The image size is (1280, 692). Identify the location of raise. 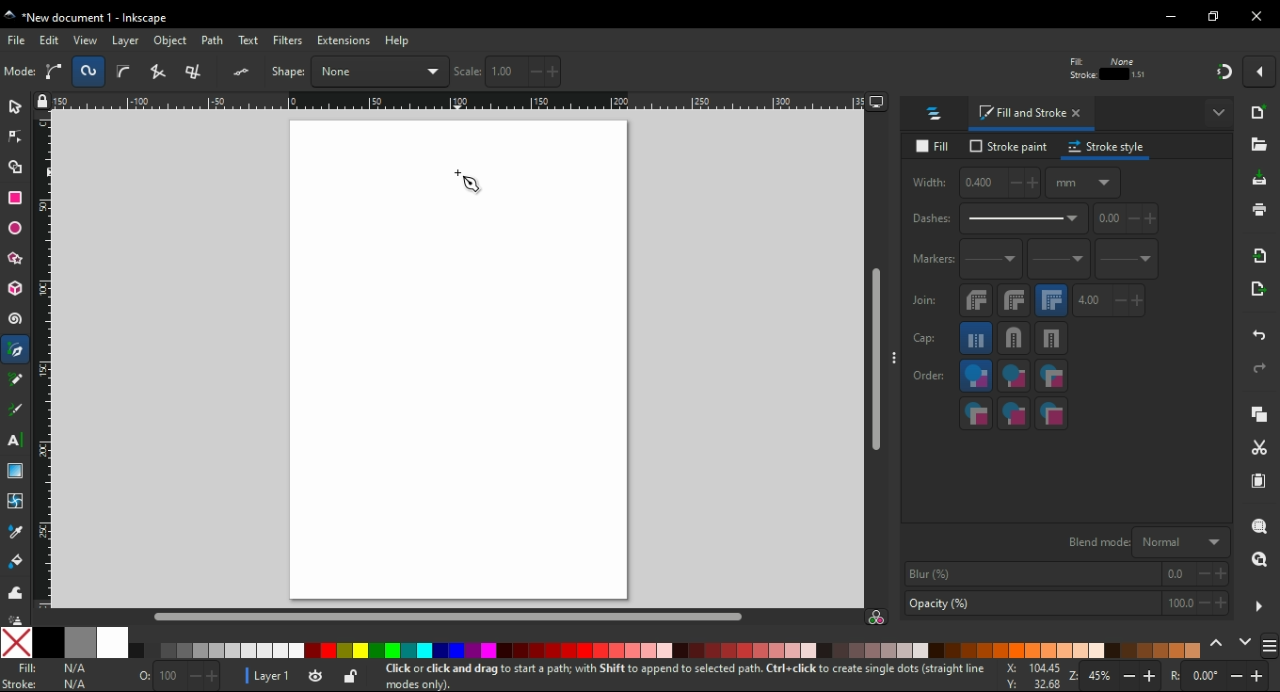
(359, 71).